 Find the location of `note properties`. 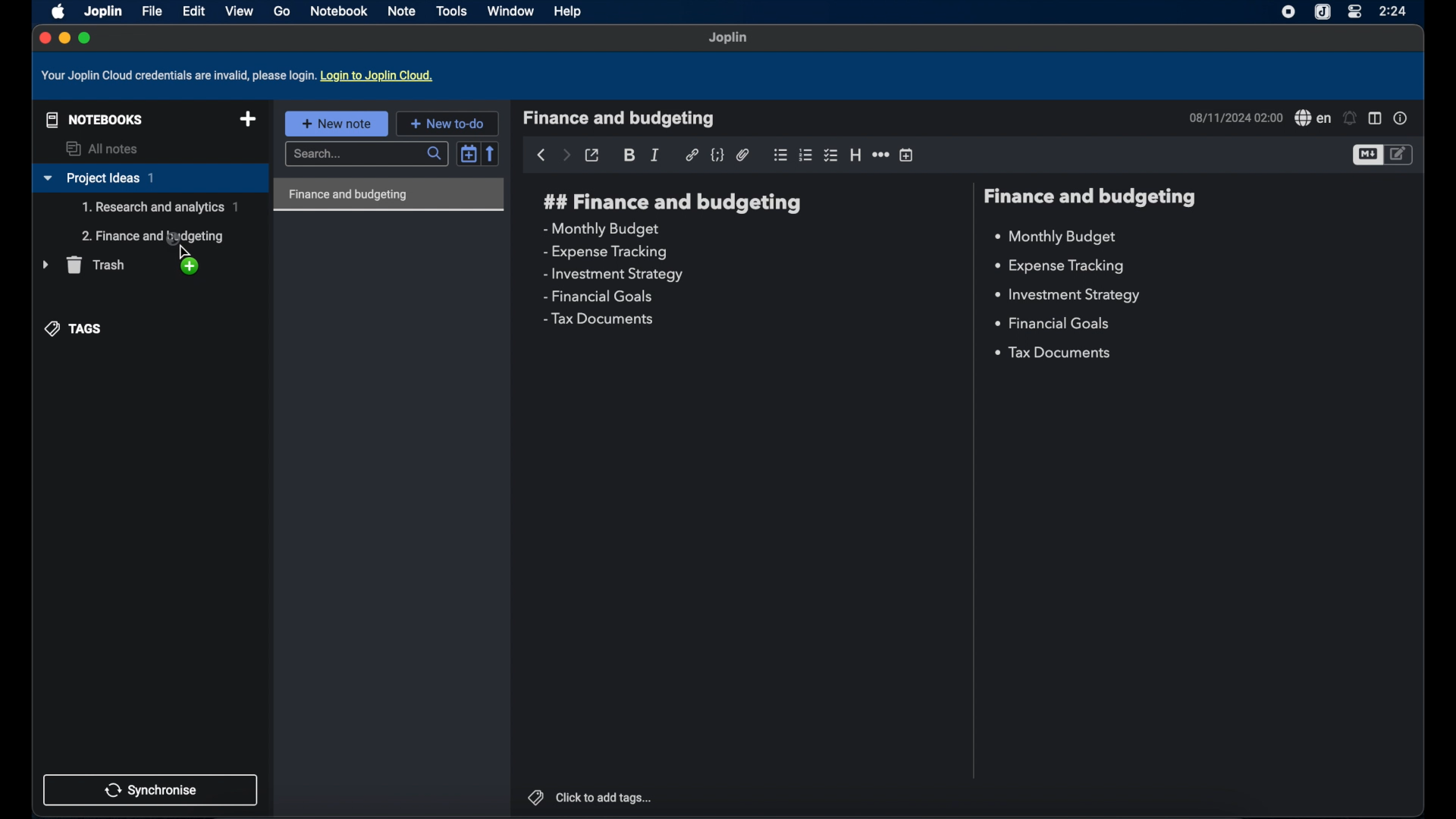

note properties is located at coordinates (1401, 118).